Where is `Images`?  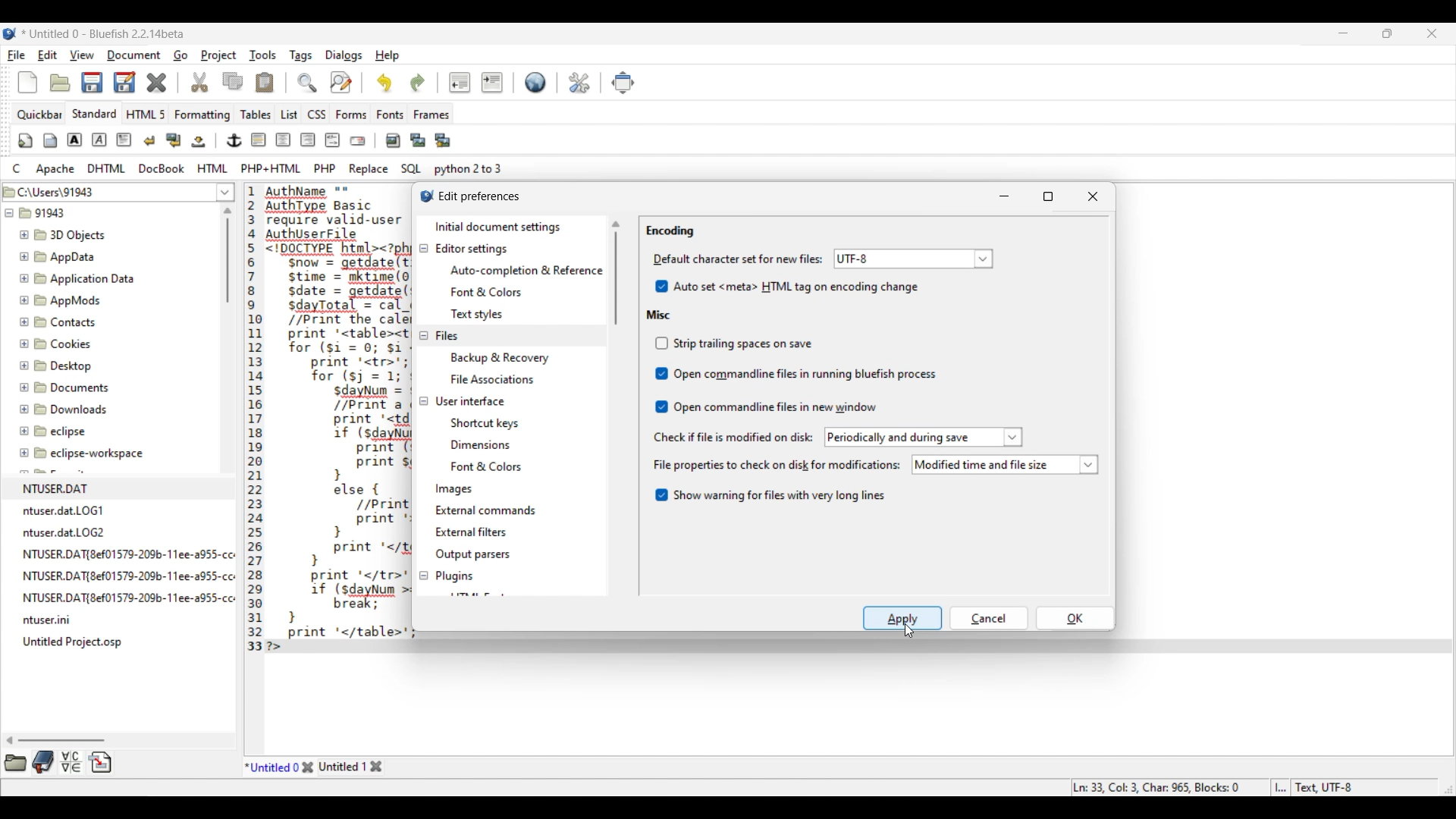 Images is located at coordinates (455, 489).